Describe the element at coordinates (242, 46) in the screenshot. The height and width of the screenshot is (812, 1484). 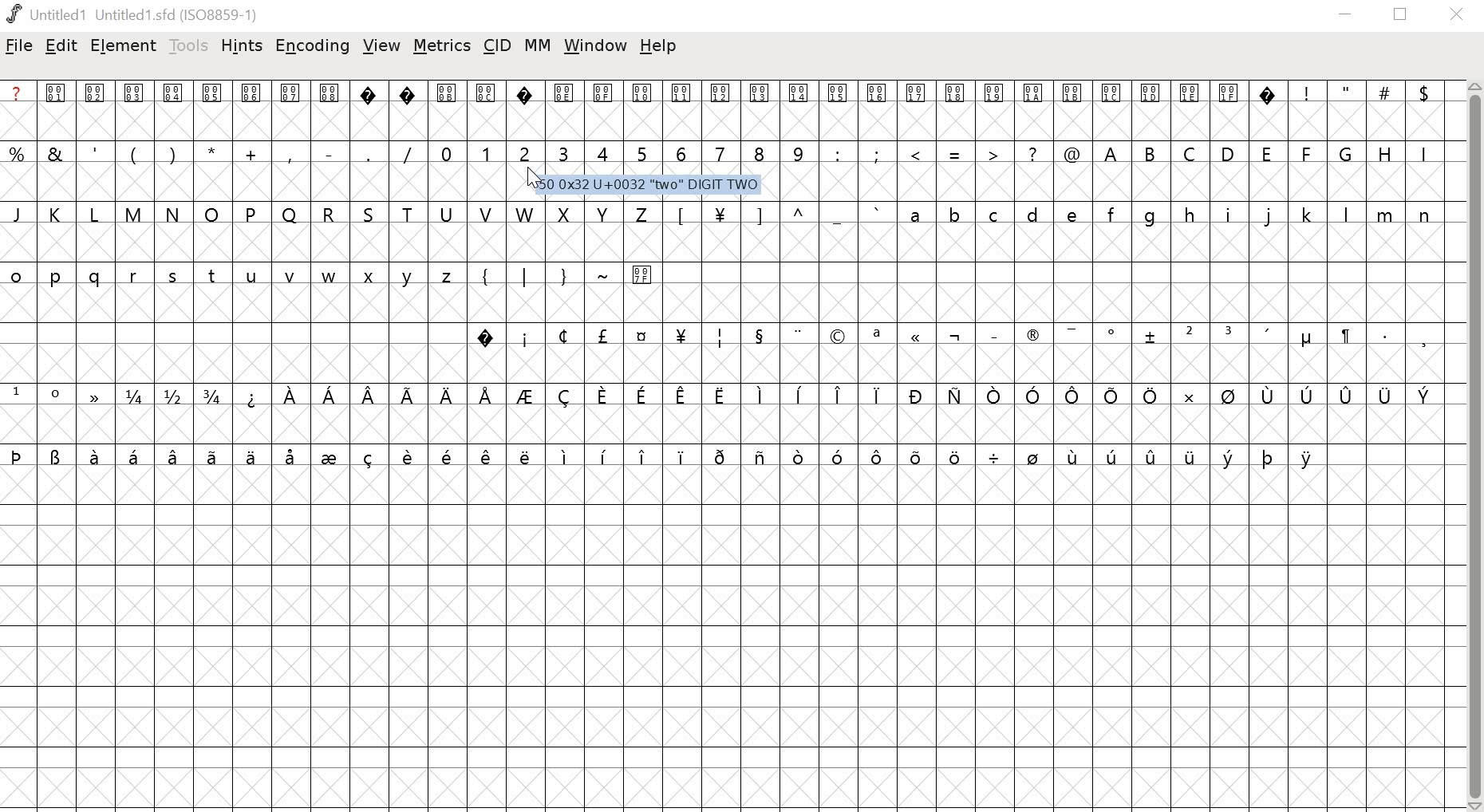
I see `hints` at that location.